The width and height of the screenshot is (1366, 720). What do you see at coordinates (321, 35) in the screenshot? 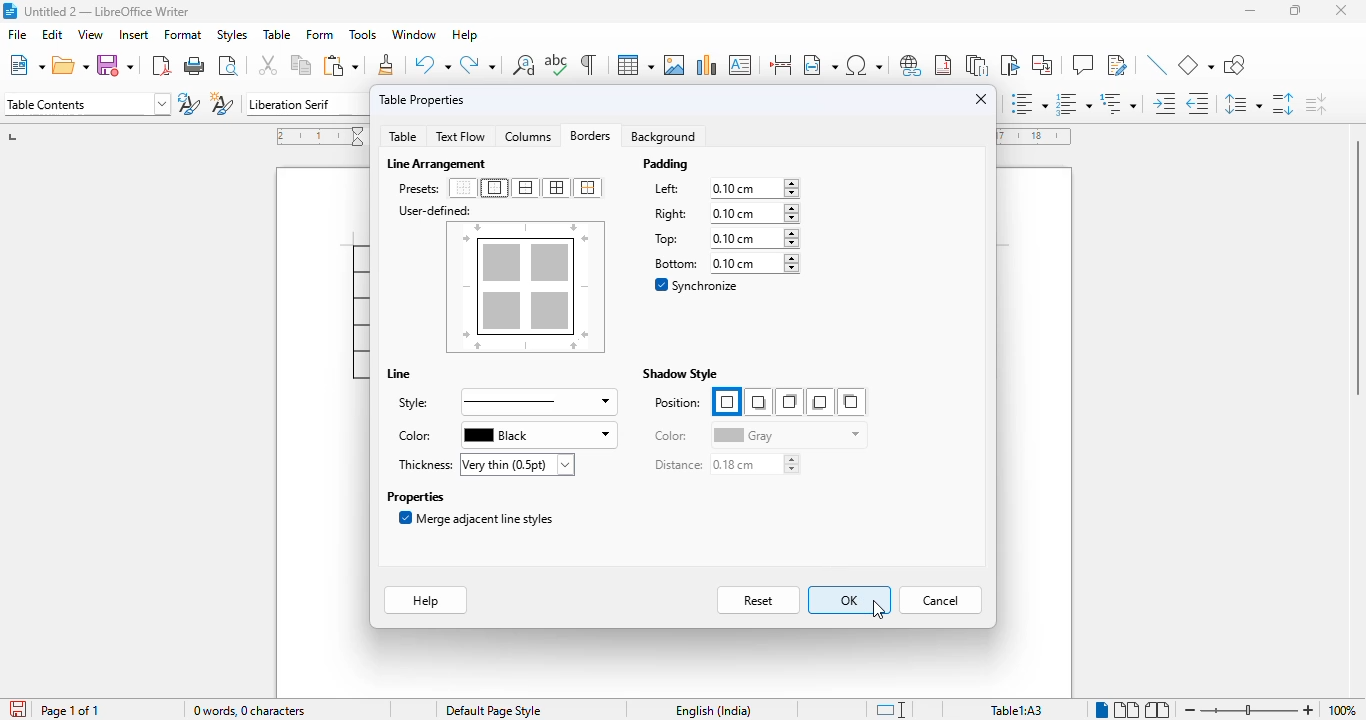
I see `form` at bounding box center [321, 35].